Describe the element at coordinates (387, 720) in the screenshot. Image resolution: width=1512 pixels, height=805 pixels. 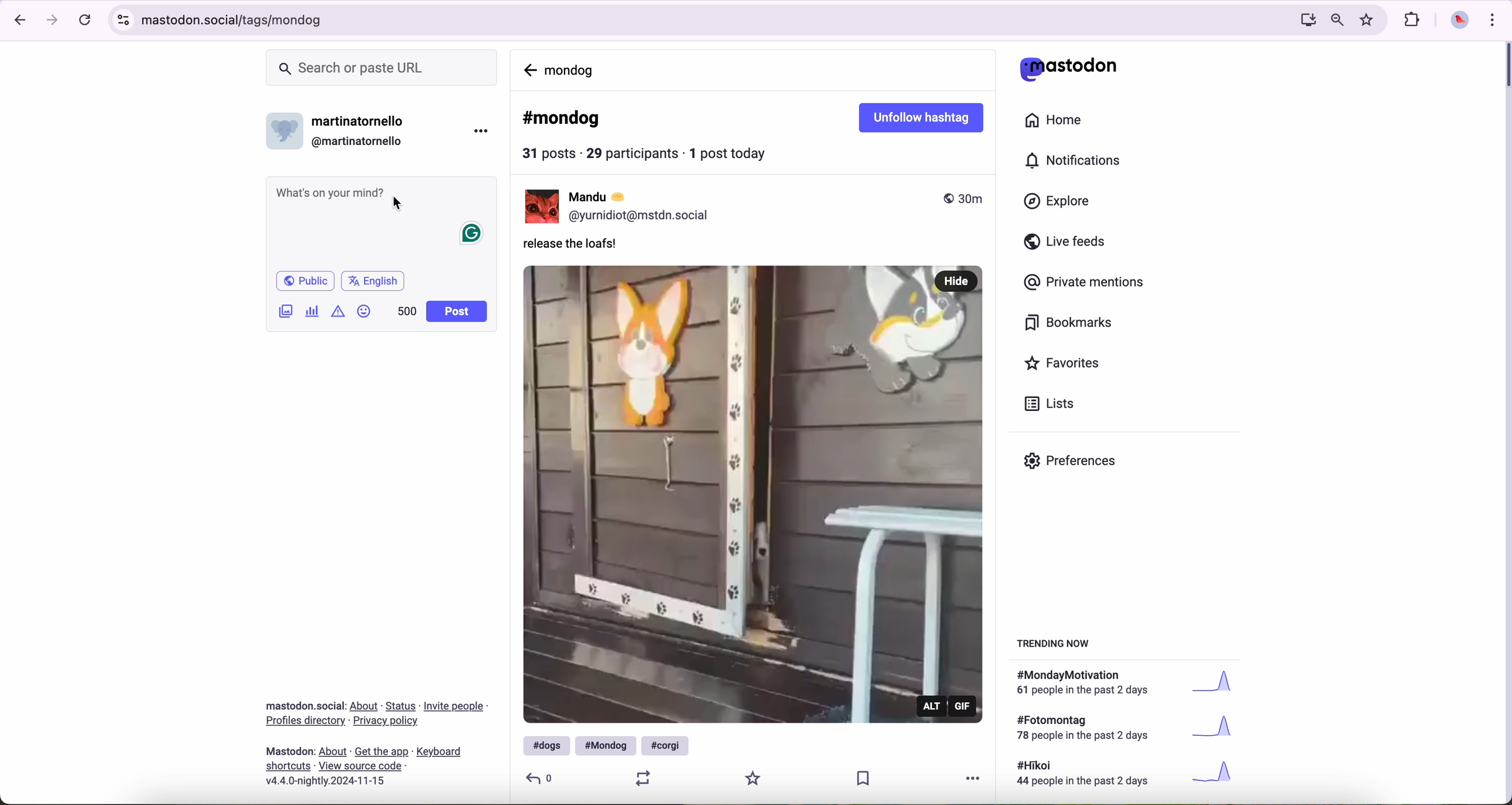
I see `link` at that location.